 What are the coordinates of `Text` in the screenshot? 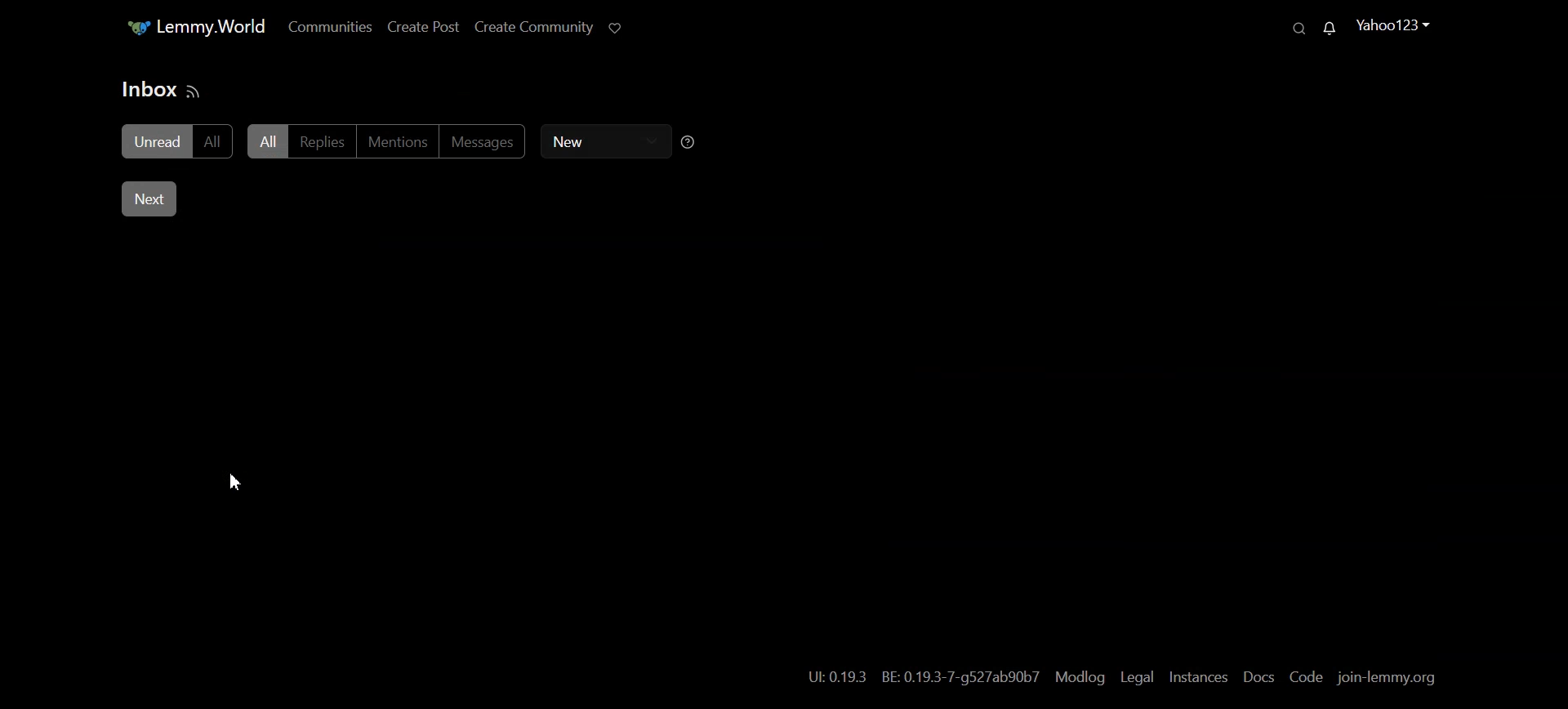 It's located at (147, 88).